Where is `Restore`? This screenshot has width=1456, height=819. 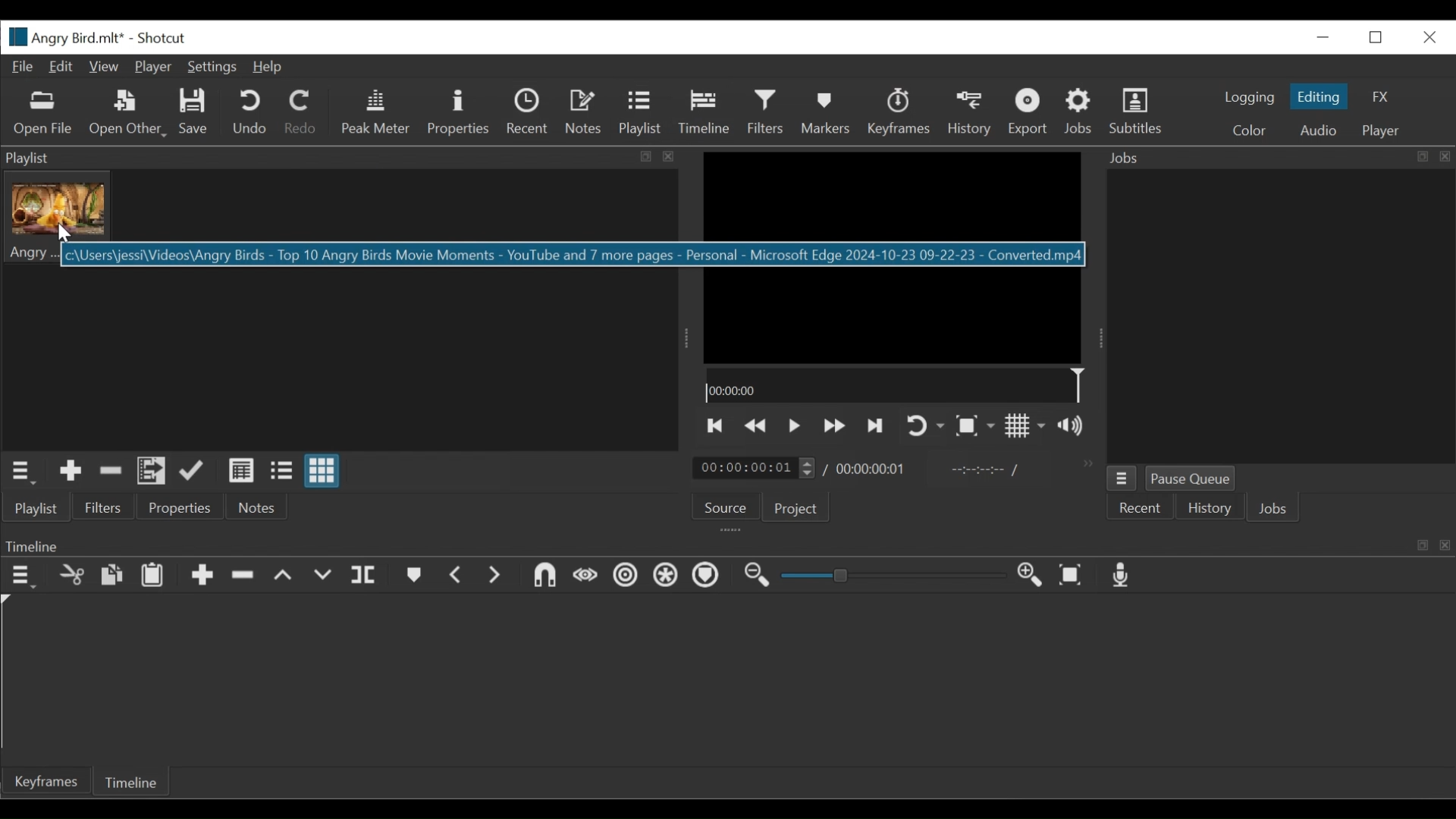 Restore is located at coordinates (1378, 36).